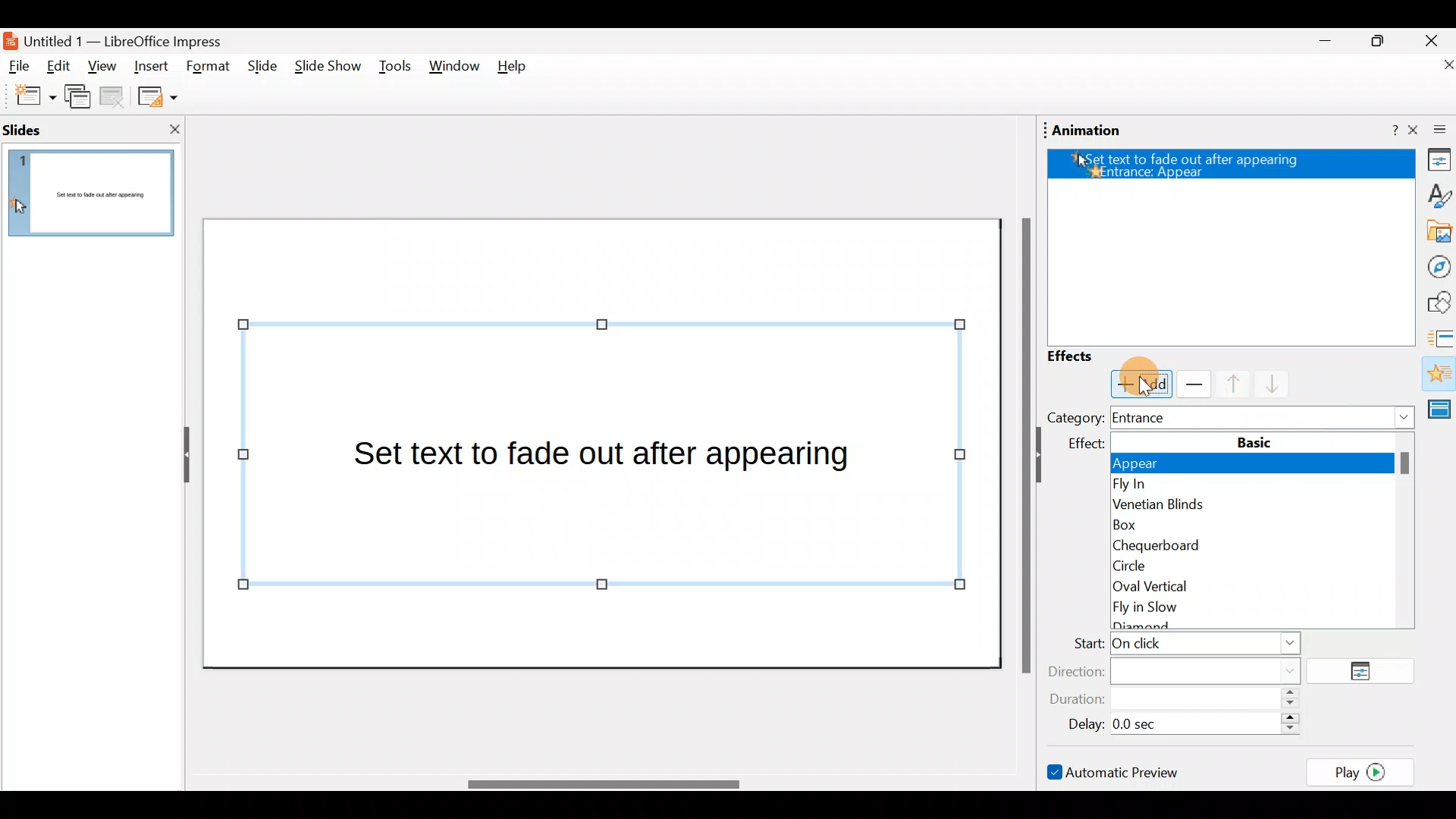  Describe the element at coordinates (1141, 384) in the screenshot. I see `Add effect` at that location.